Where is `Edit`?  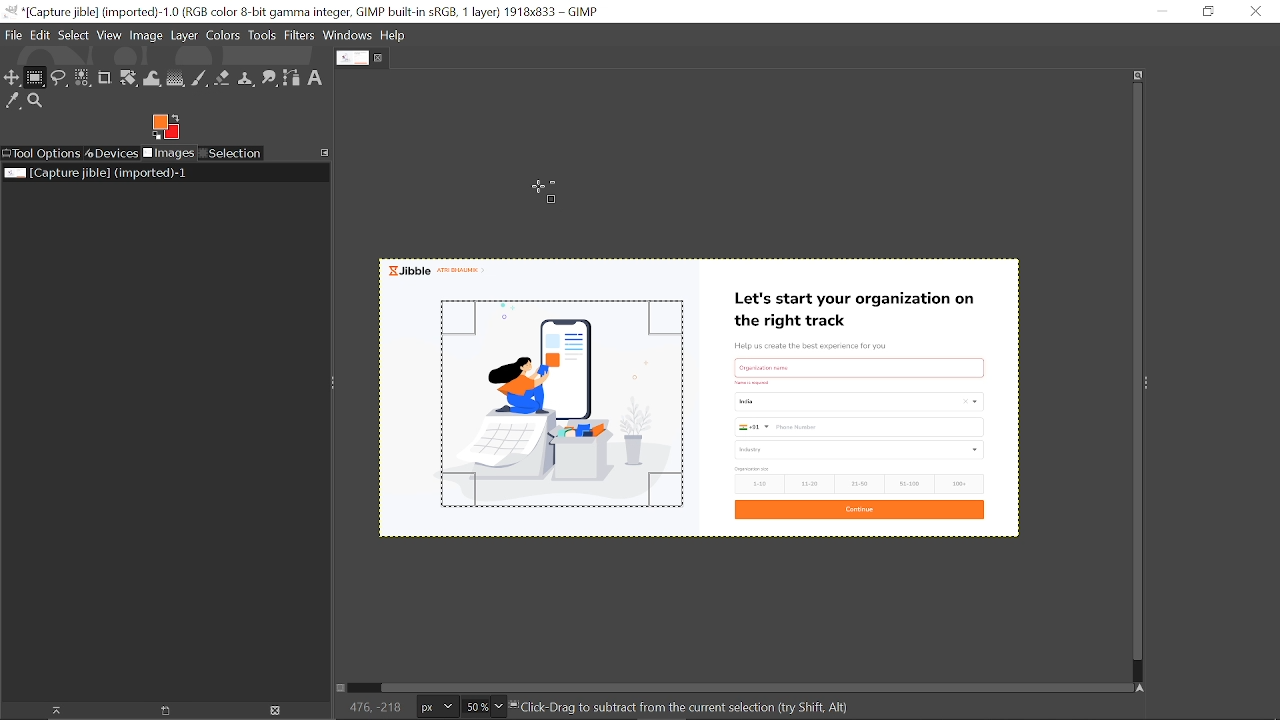
Edit is located at coordinates (40, 34).